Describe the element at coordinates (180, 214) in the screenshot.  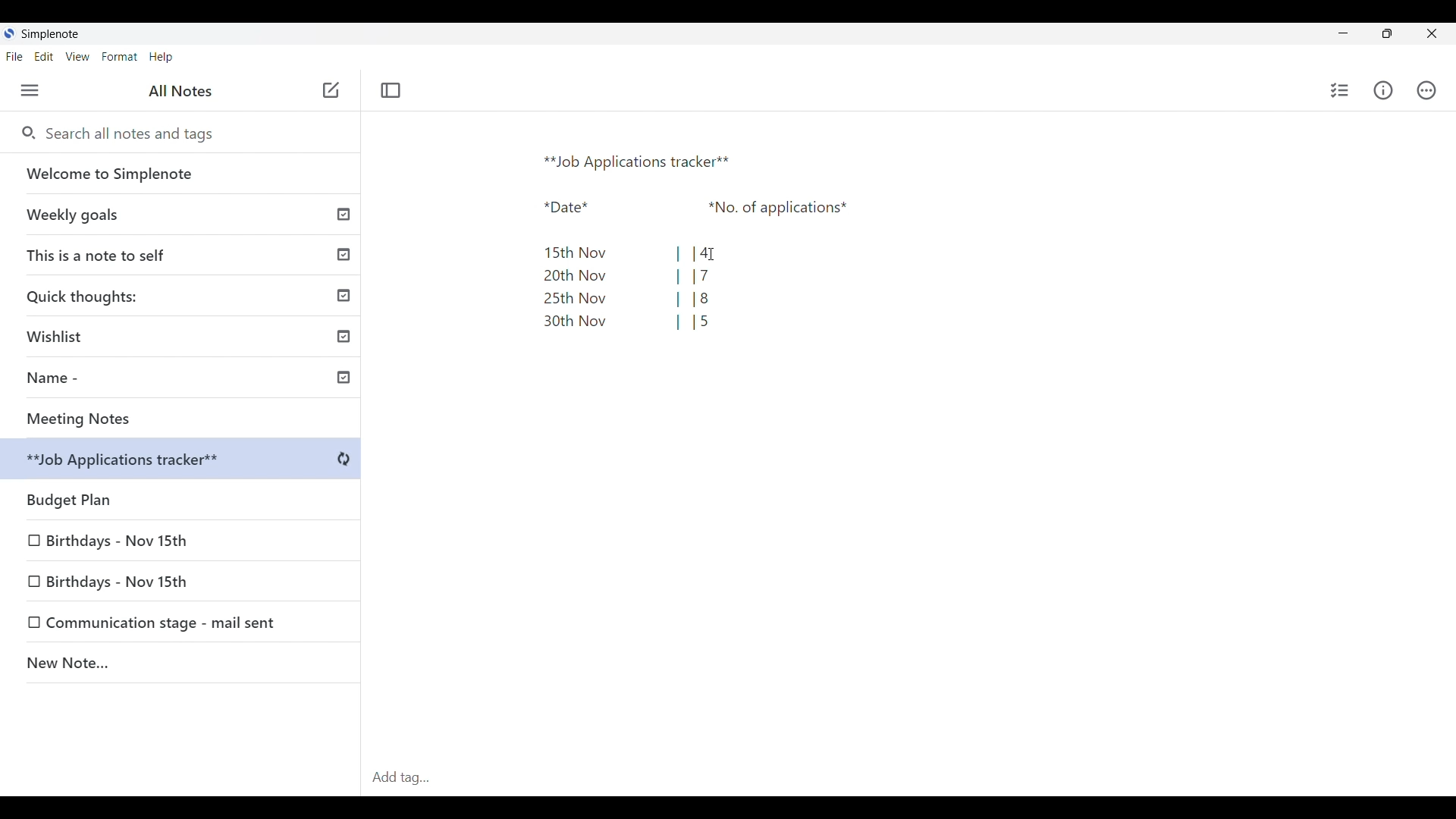
I see `Weekly goals` at that location.